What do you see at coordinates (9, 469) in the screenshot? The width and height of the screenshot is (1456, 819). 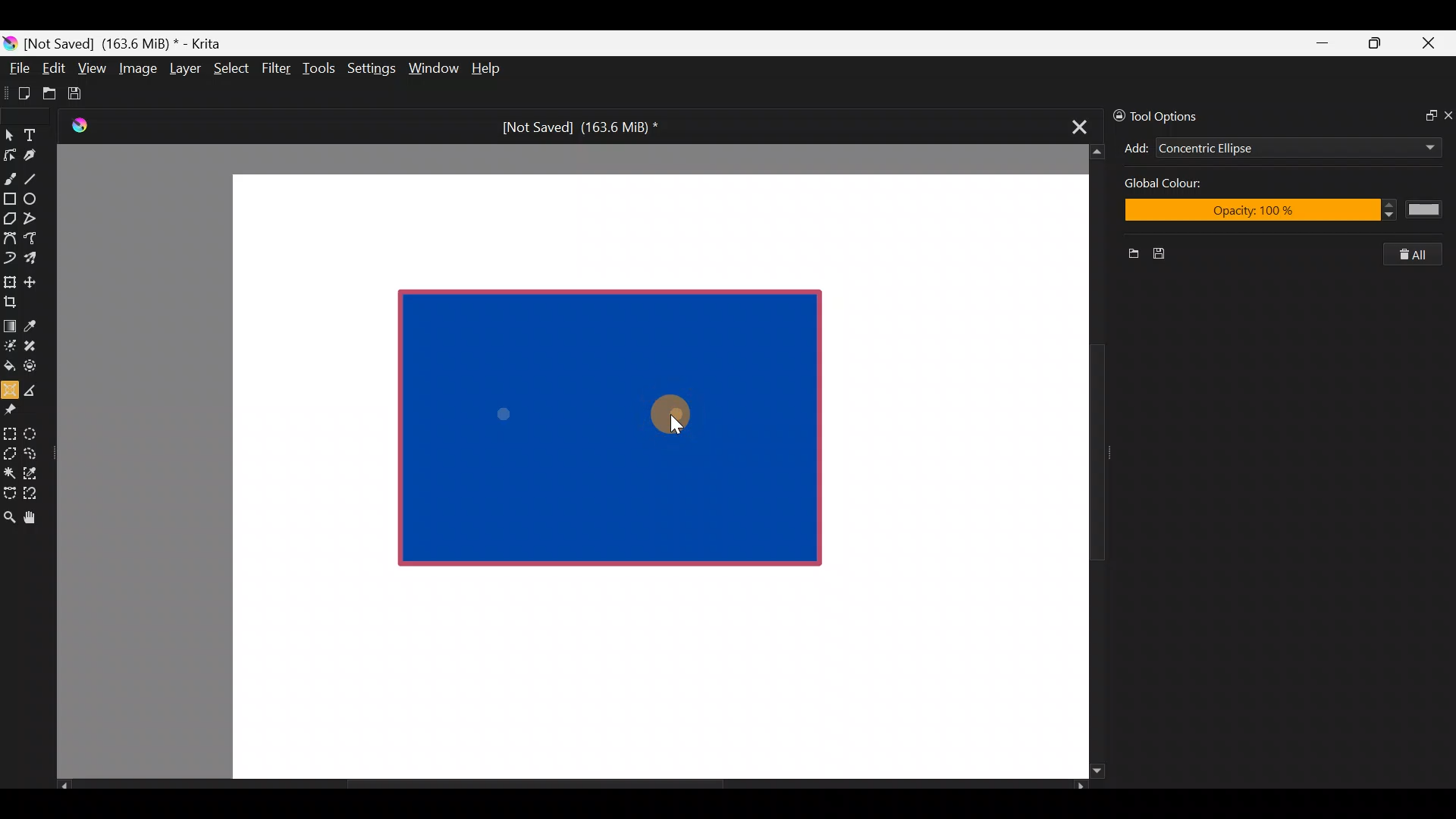 I see `Contiguous selection tool` at bounding box center [9, 469].